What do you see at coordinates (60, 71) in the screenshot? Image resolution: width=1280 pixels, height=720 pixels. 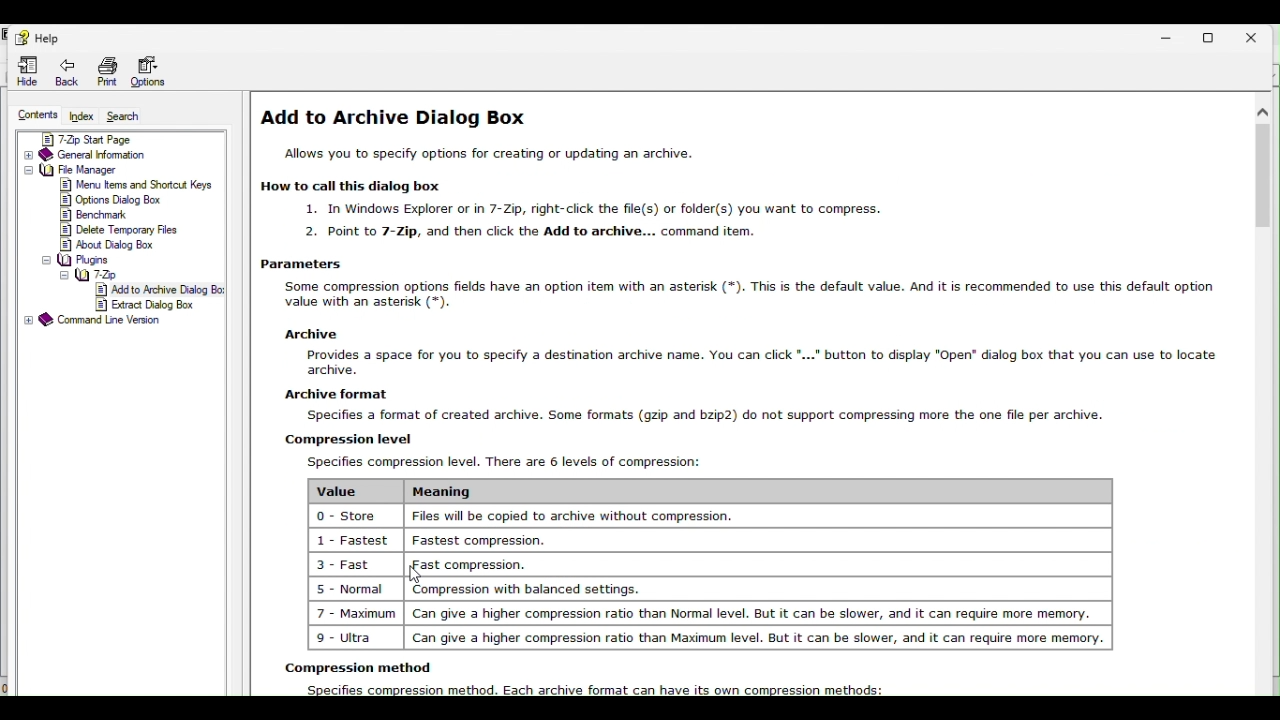 I see `Back` at bounding box center [60, 71].